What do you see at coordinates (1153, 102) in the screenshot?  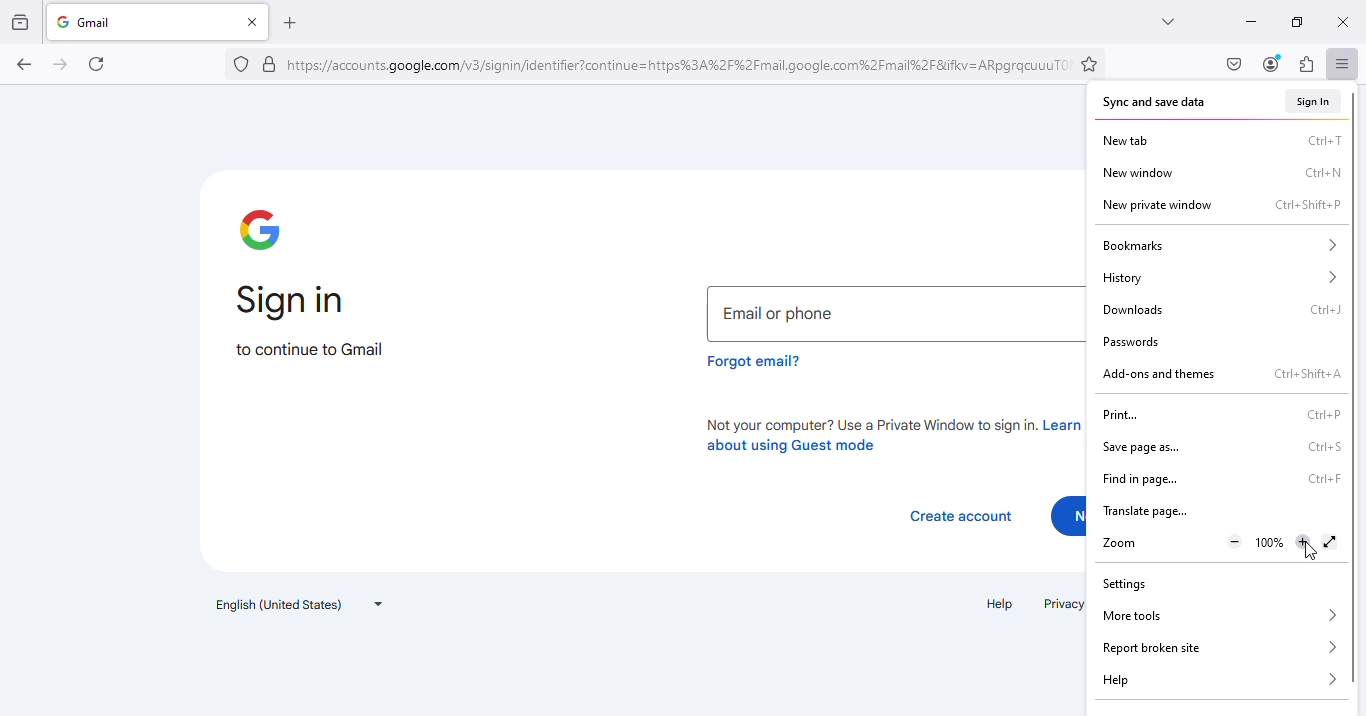 I see `sync and save data` at bounding box center [1153, 102].